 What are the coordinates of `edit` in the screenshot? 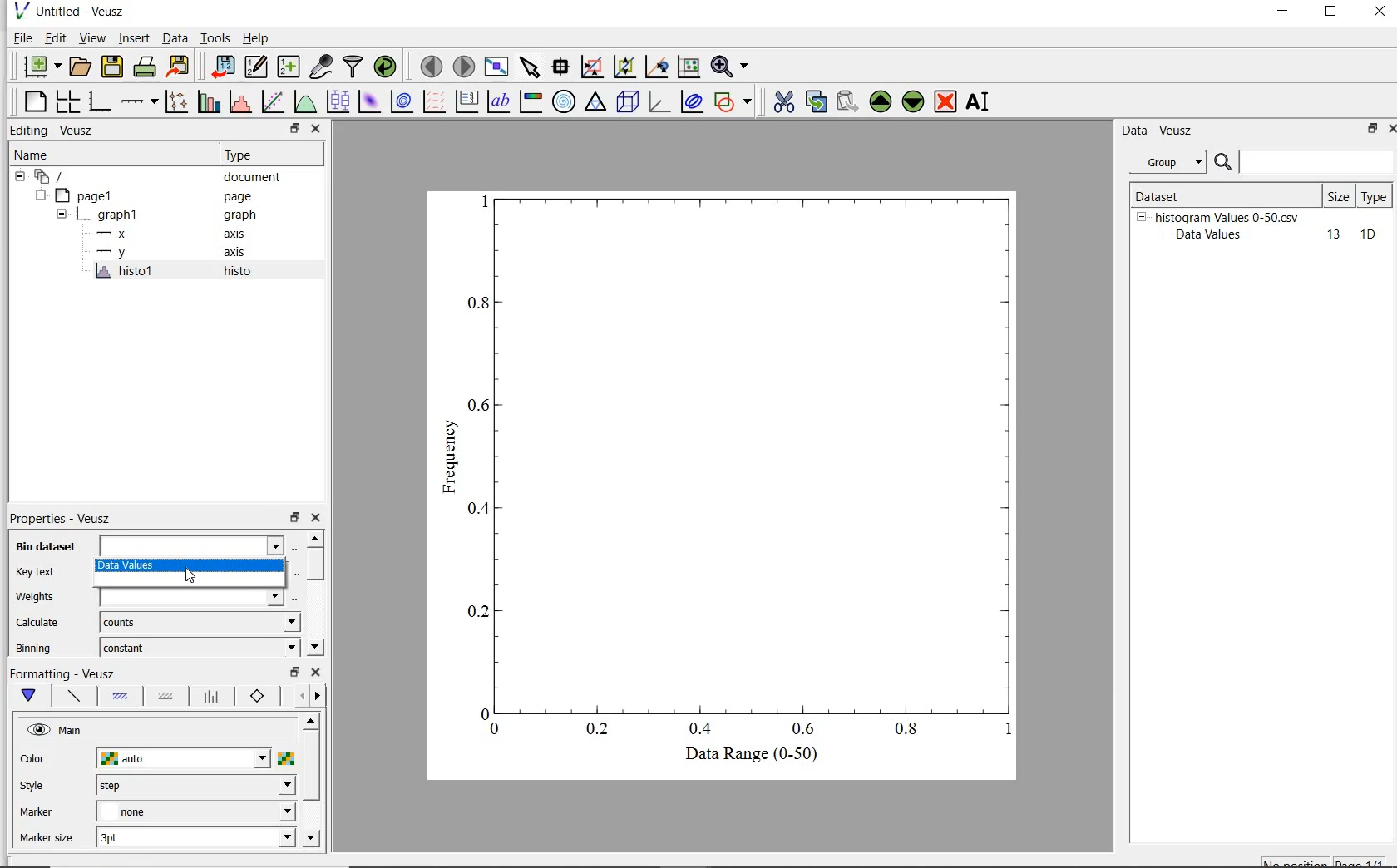 It's located at (56, 37).